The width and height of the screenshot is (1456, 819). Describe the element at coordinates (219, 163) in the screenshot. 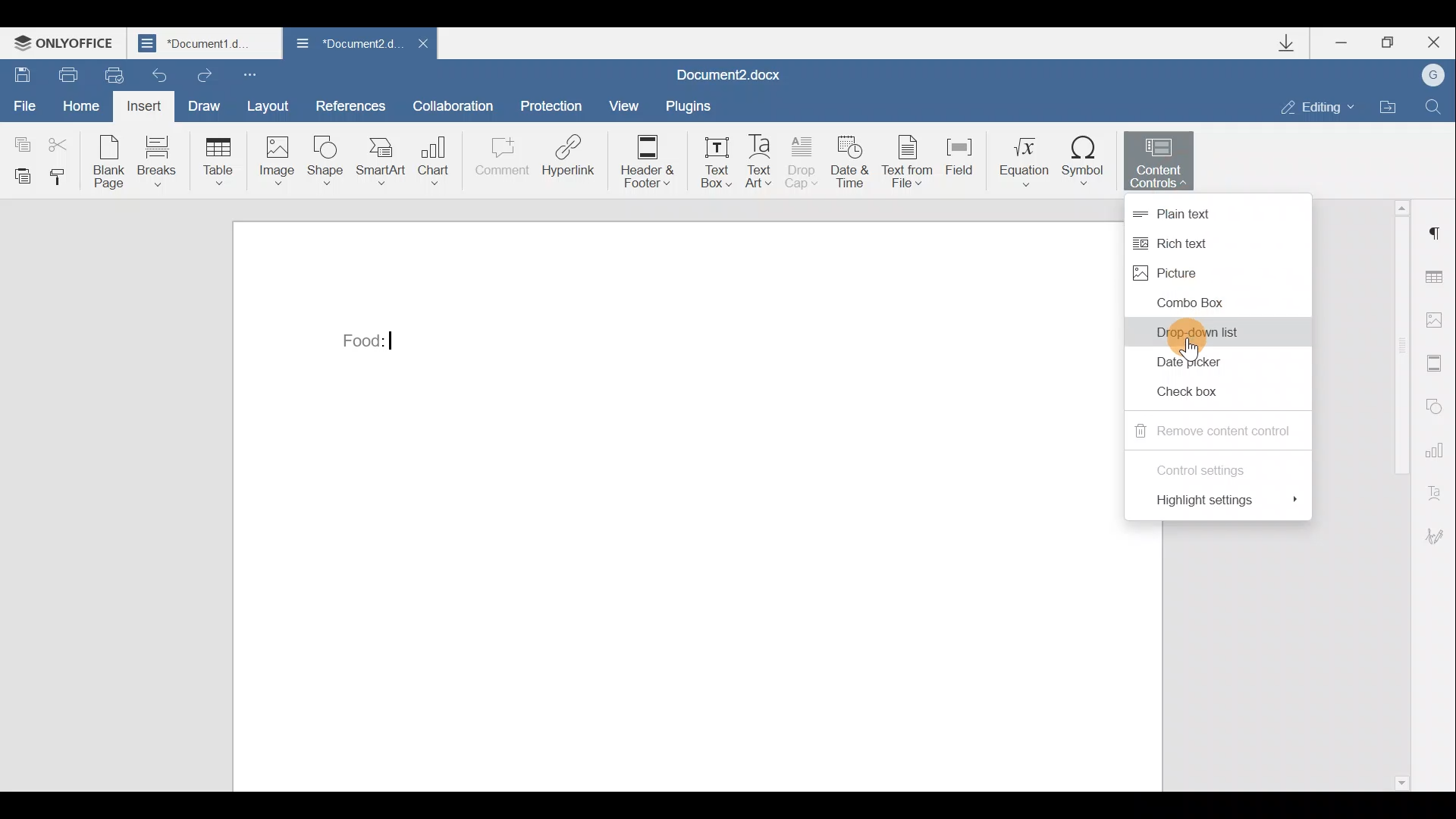

I see `Table` at that location.